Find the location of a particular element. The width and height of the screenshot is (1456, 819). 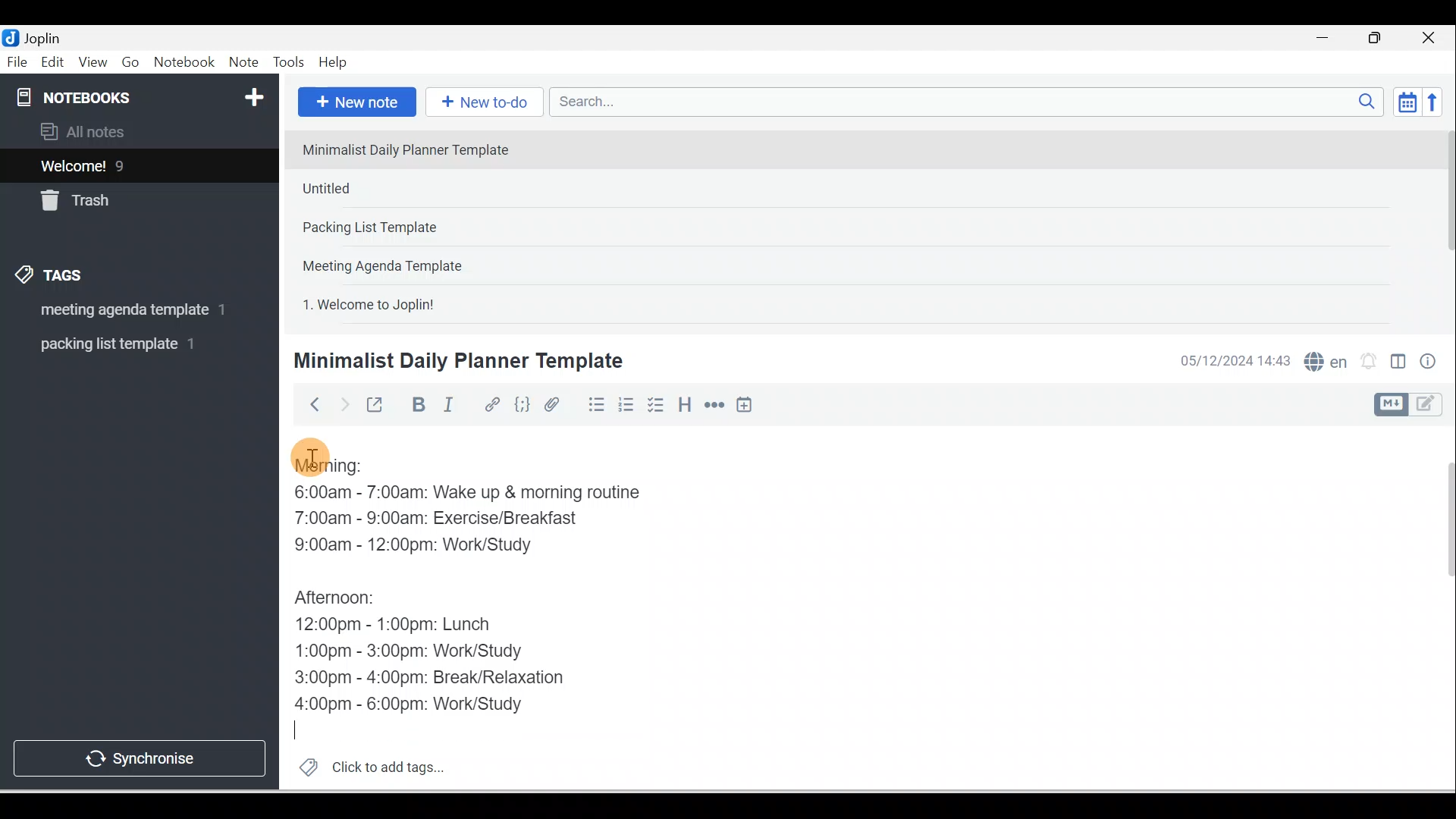

Trash is located at coordinates (111, 196).